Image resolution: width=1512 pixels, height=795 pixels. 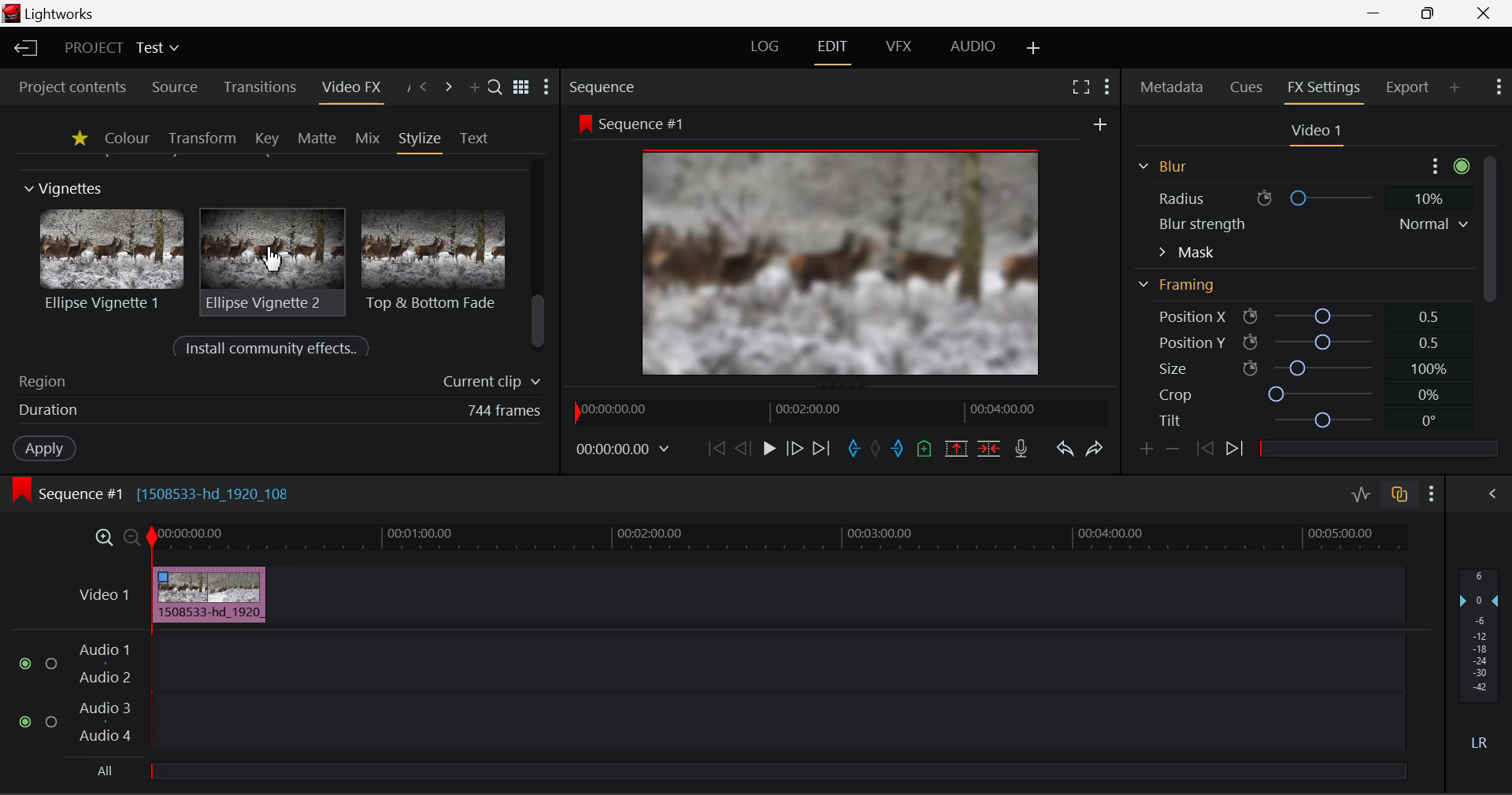 I want to click on Toggle audio levels editing, so click(x=1360, y=493).